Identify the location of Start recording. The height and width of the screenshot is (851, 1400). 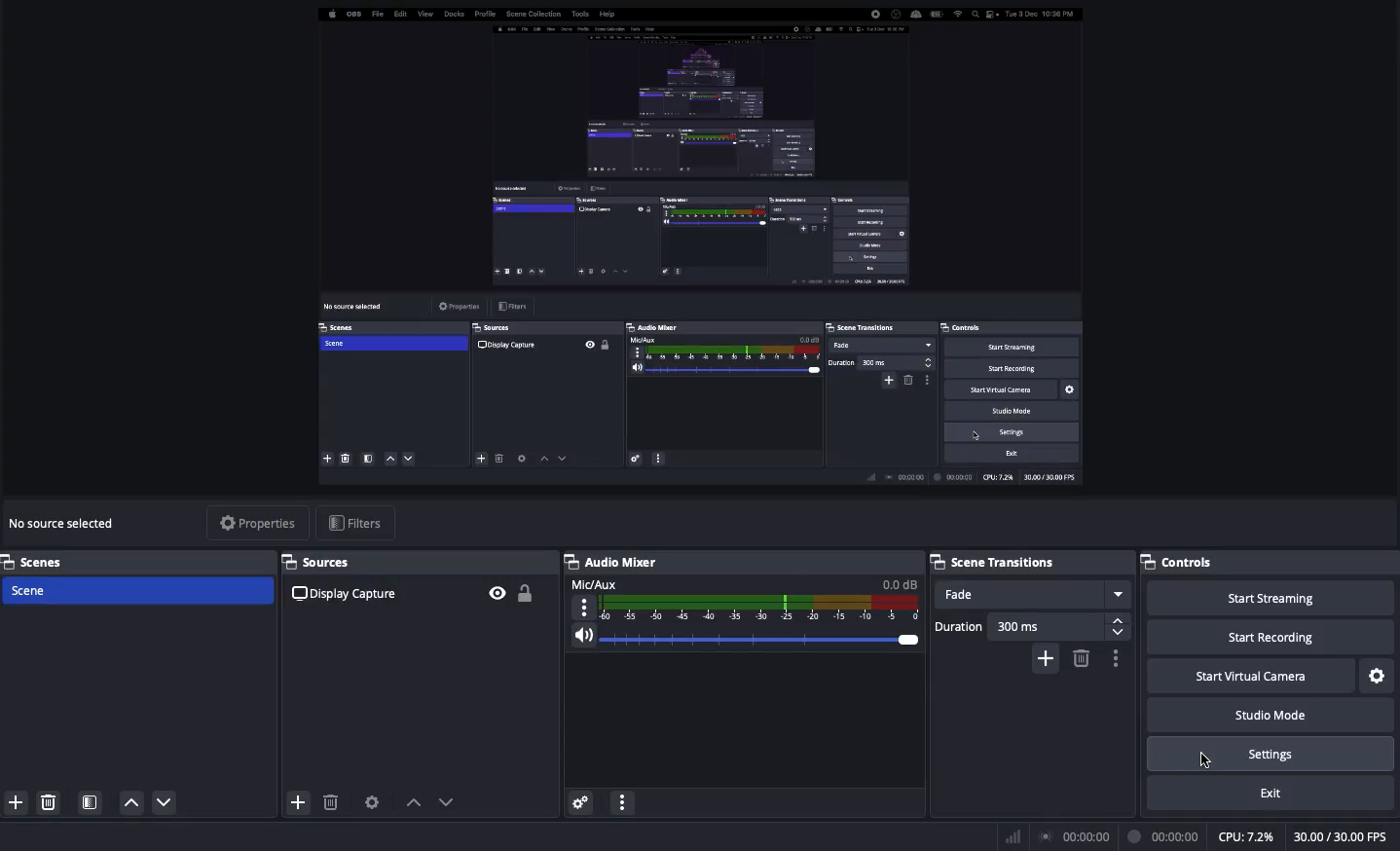
(1272, 639).